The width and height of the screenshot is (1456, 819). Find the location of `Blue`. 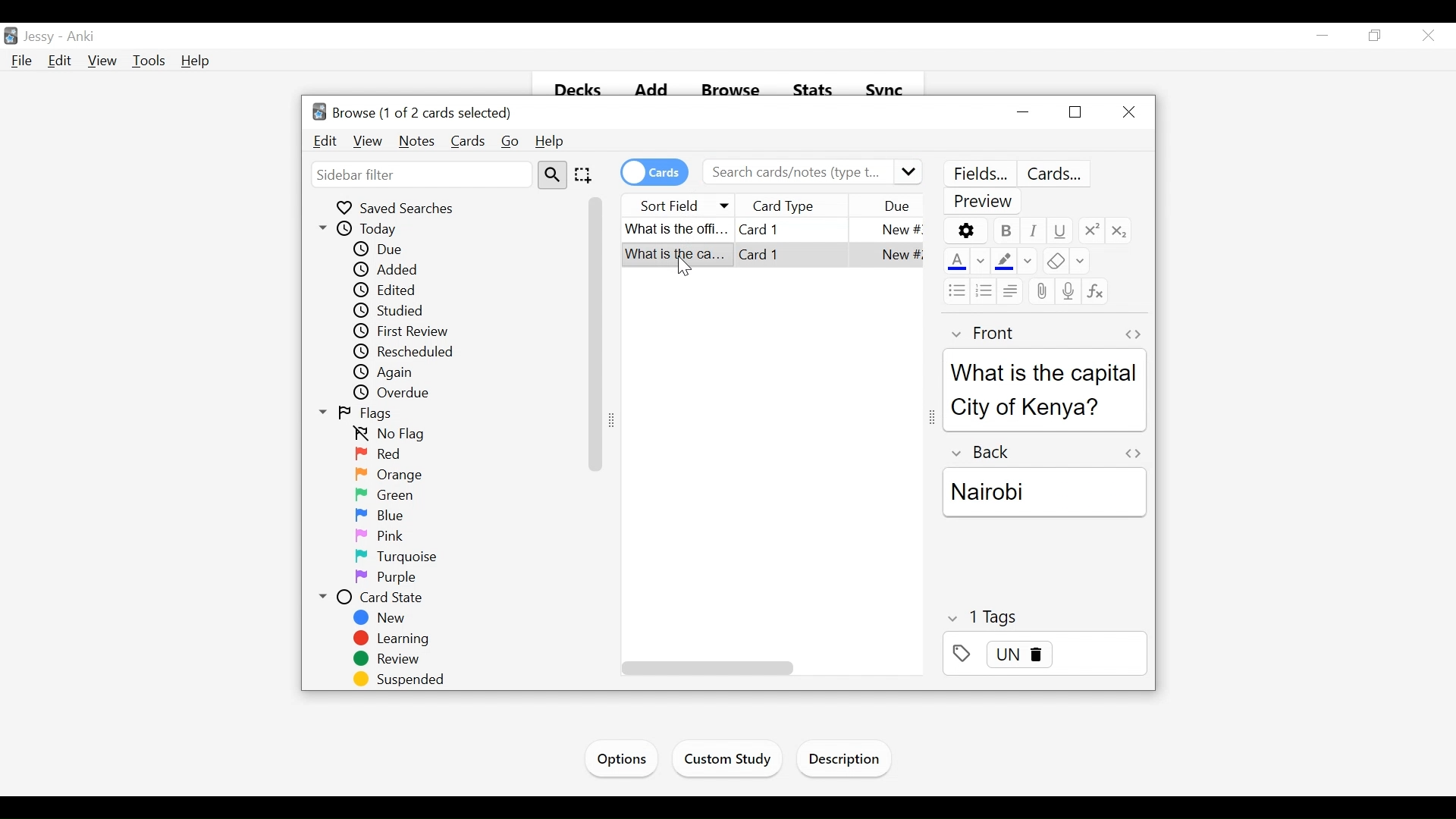

Blue is located at coordinates (381, 515).